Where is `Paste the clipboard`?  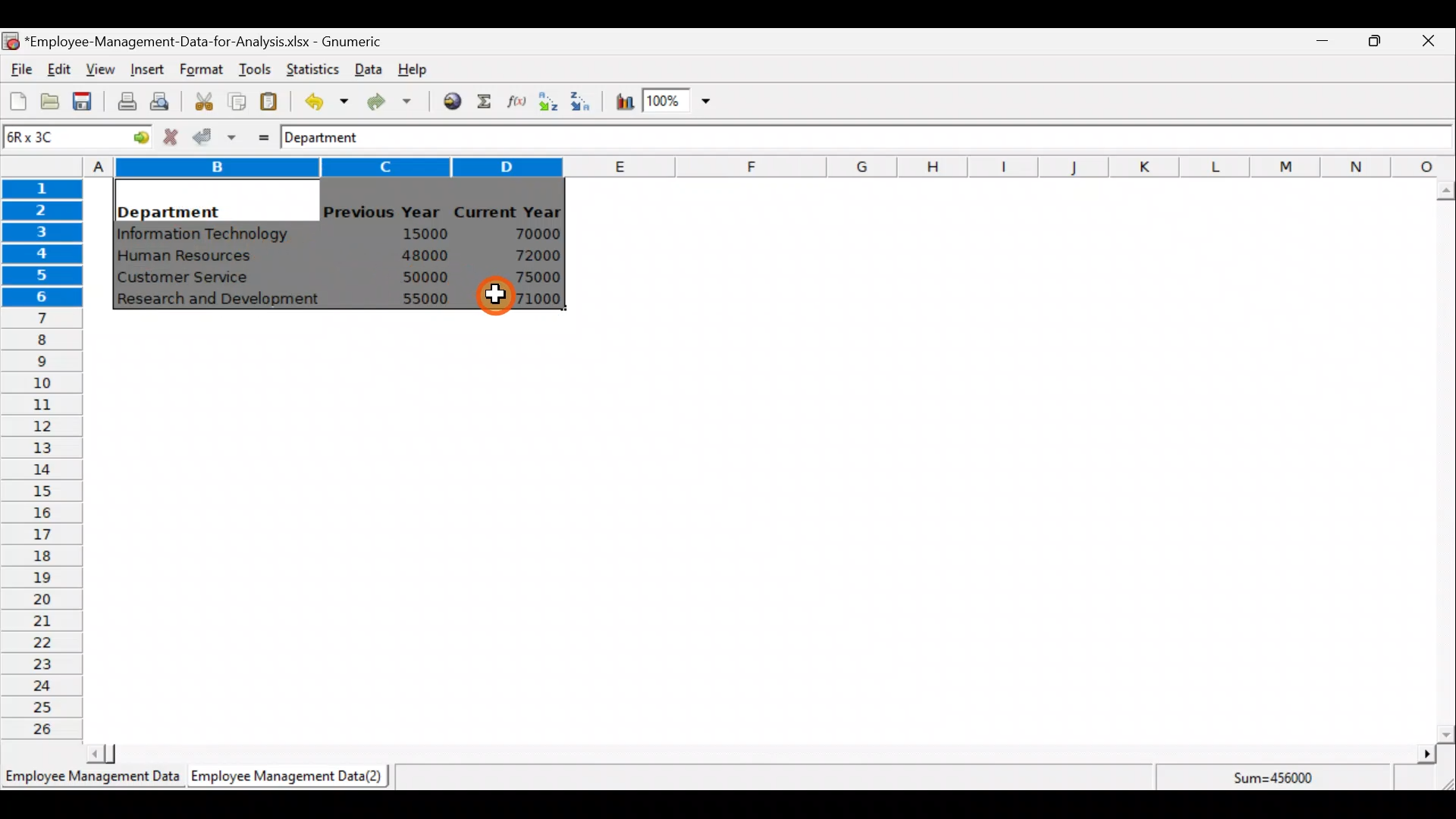
Paste the clipboard is located at coordinates (268, 101).